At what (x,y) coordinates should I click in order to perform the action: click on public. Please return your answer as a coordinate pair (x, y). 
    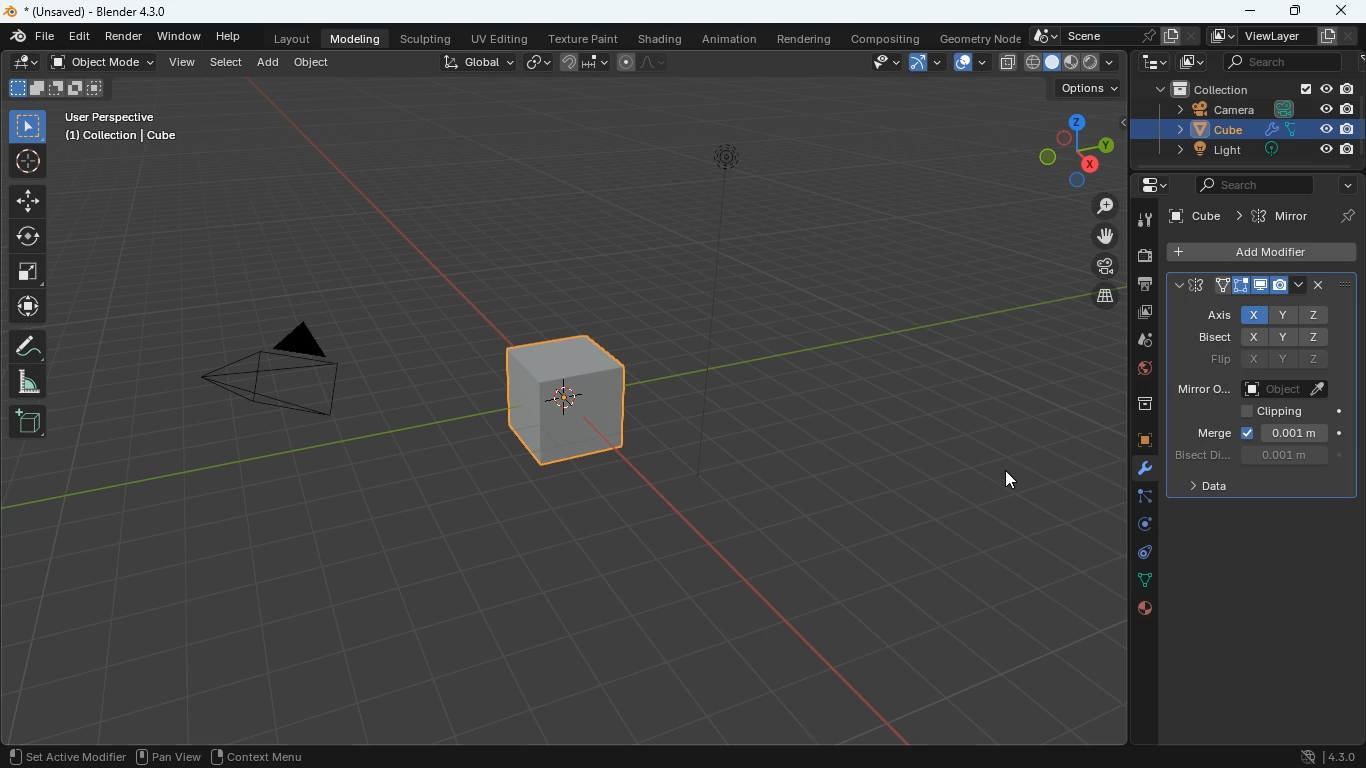
    Looking at the image, I should click on (1136, 371).